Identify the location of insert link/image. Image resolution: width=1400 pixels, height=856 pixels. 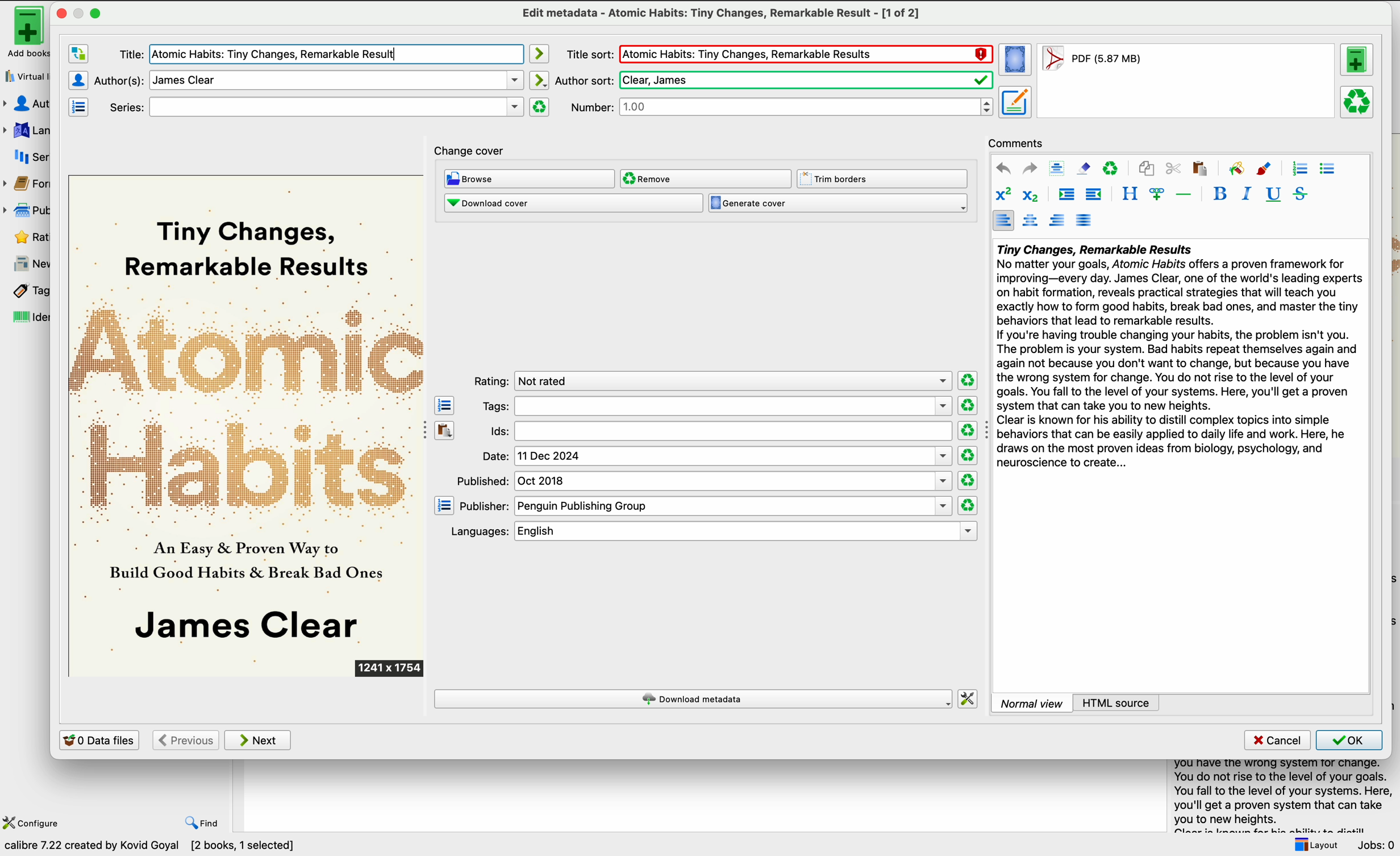
(1156, 195).